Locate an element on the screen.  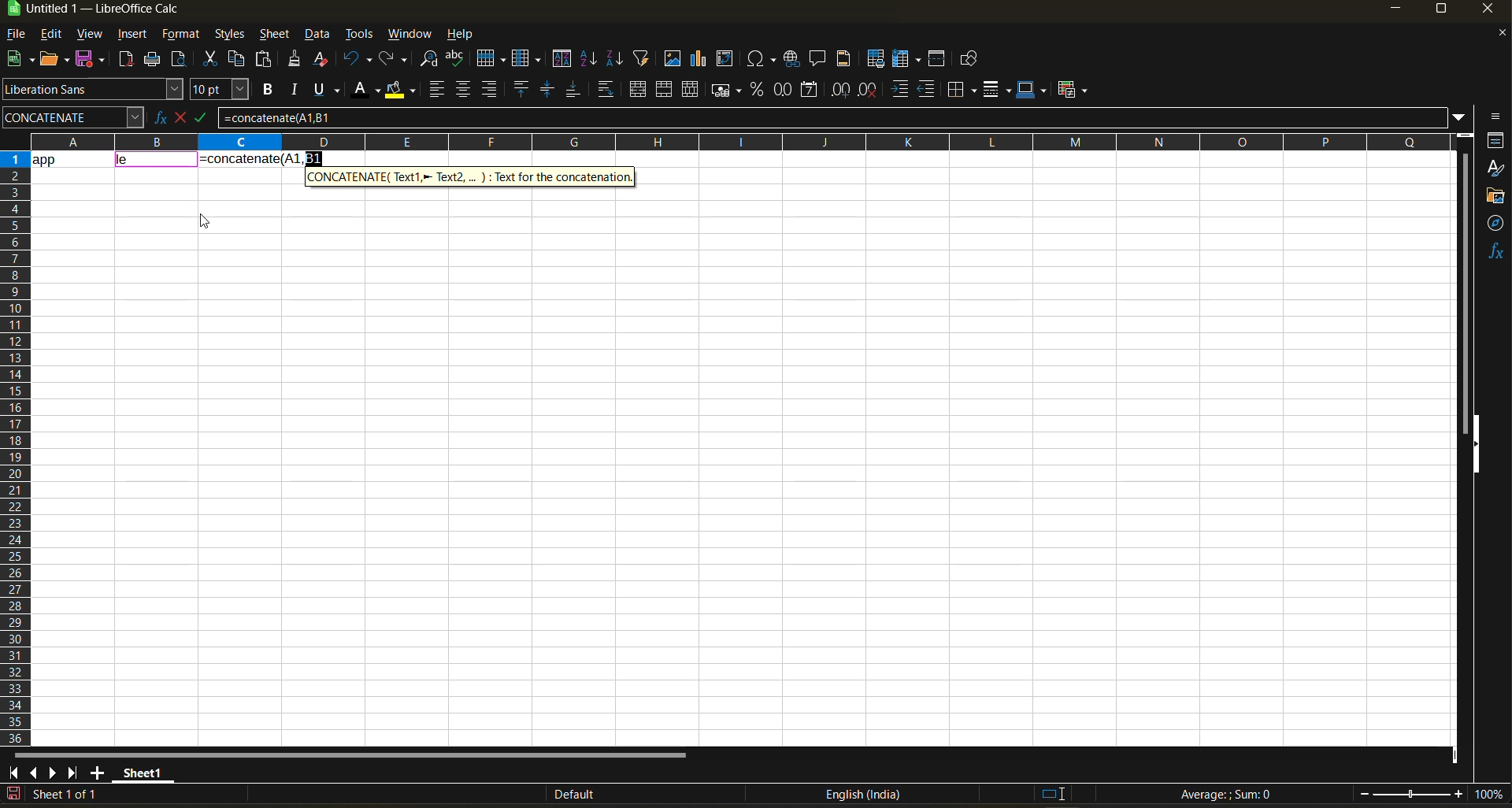
scroll to next sheet is located at coordinates (52, 773).